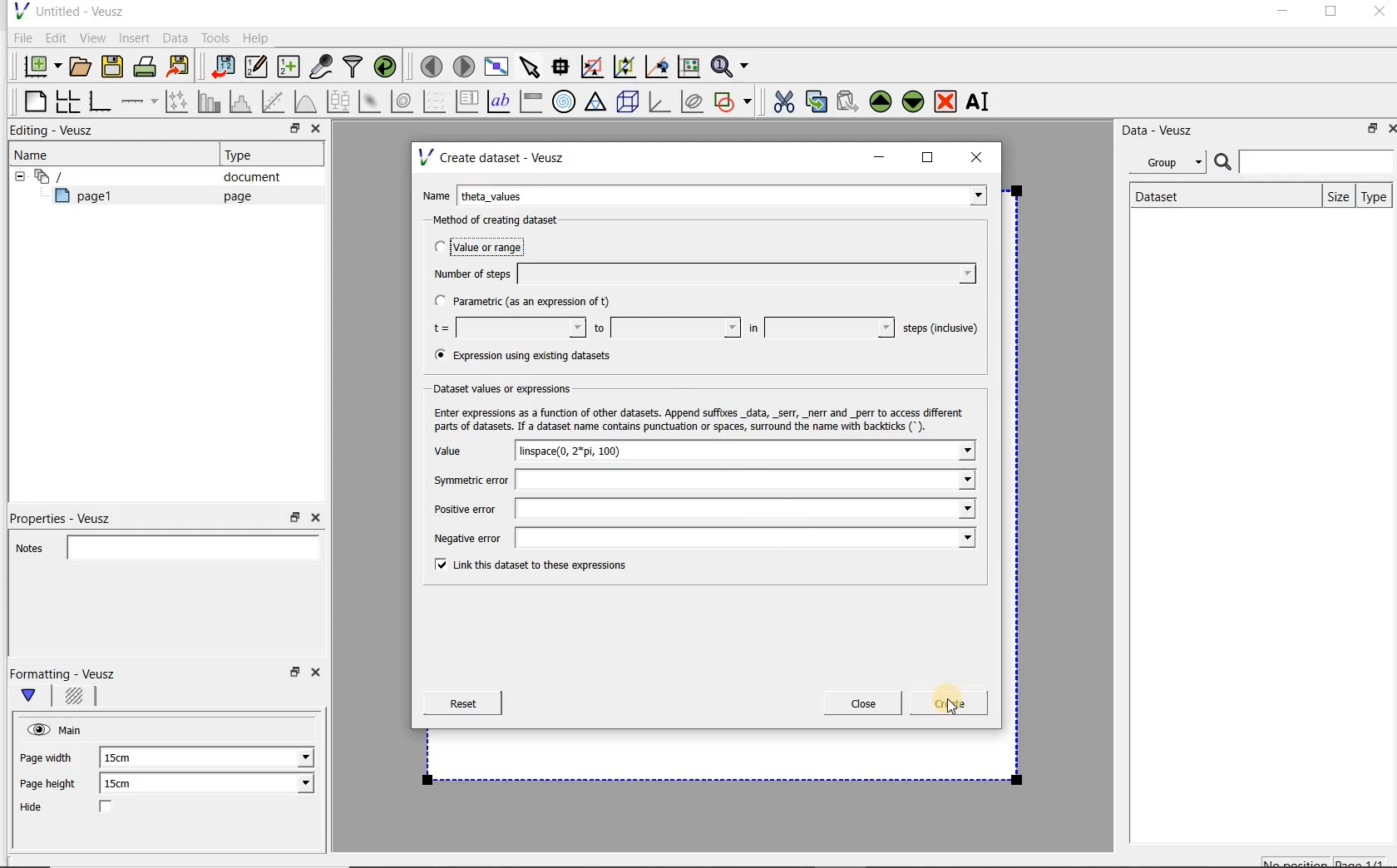 This screenshot has width=1397, height=868. I want to click on Enter expressions as a function of other datasets. Append suffixes _data, _serr, _nerr and _perr to access different
parts of datasets. If a dataset name contains punctuation or spaces, surround the name with backticks (*)., so click(703, 419).